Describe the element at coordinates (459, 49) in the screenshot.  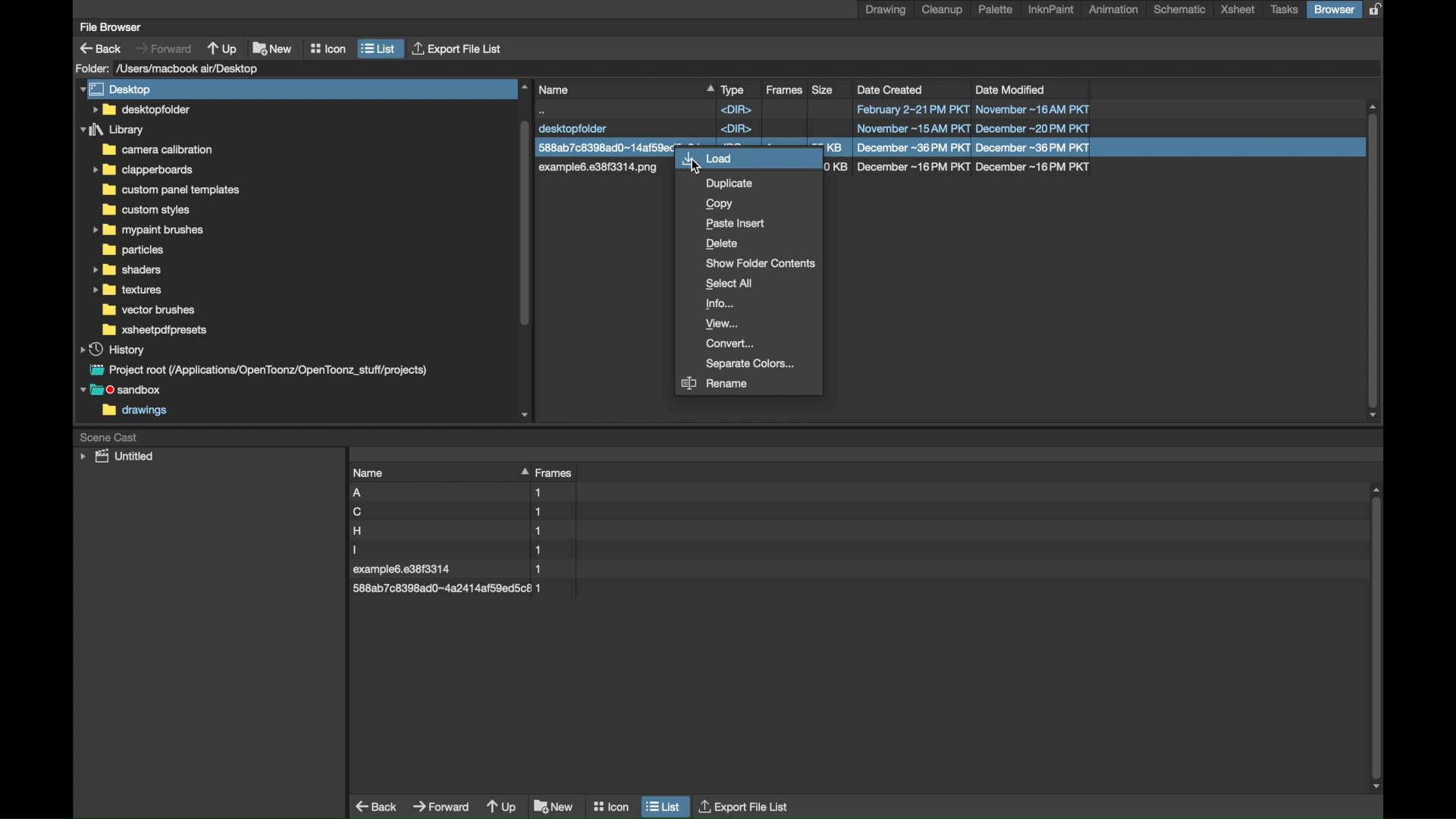
I see `export file list` at that location.